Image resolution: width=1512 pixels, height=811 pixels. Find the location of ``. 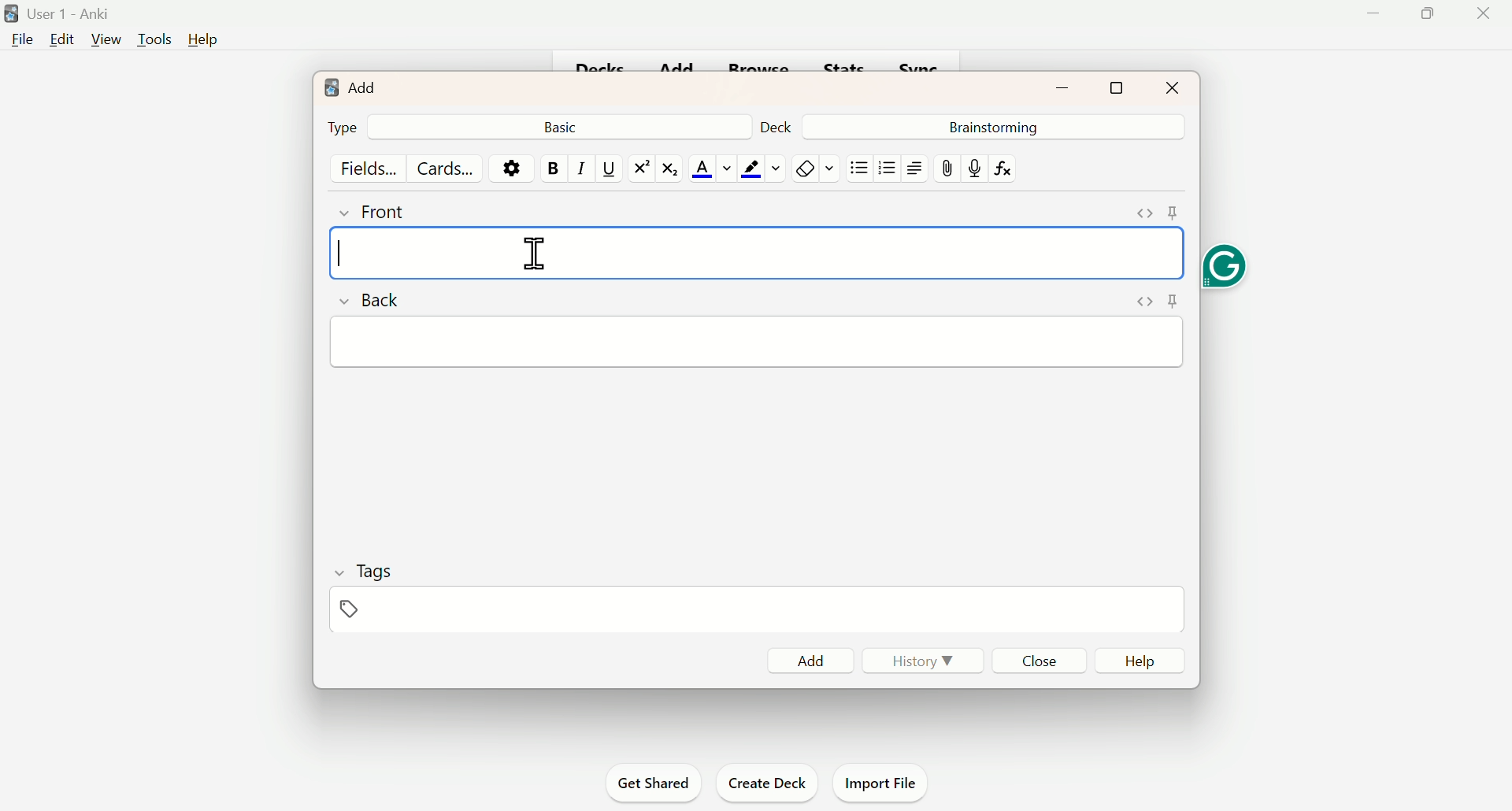

 is located at coordinates (943, 167).